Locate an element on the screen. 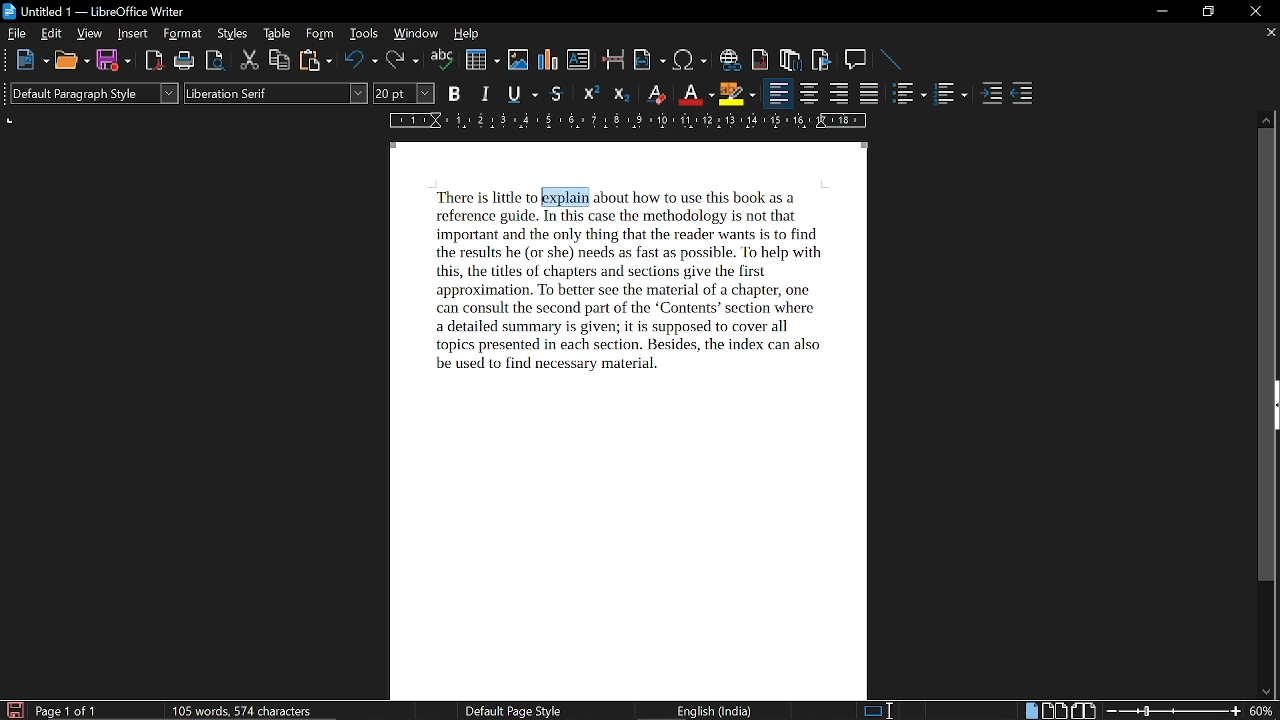 This screenshot has width=1280, height=720. move up is located at coordinates (1268, 119).